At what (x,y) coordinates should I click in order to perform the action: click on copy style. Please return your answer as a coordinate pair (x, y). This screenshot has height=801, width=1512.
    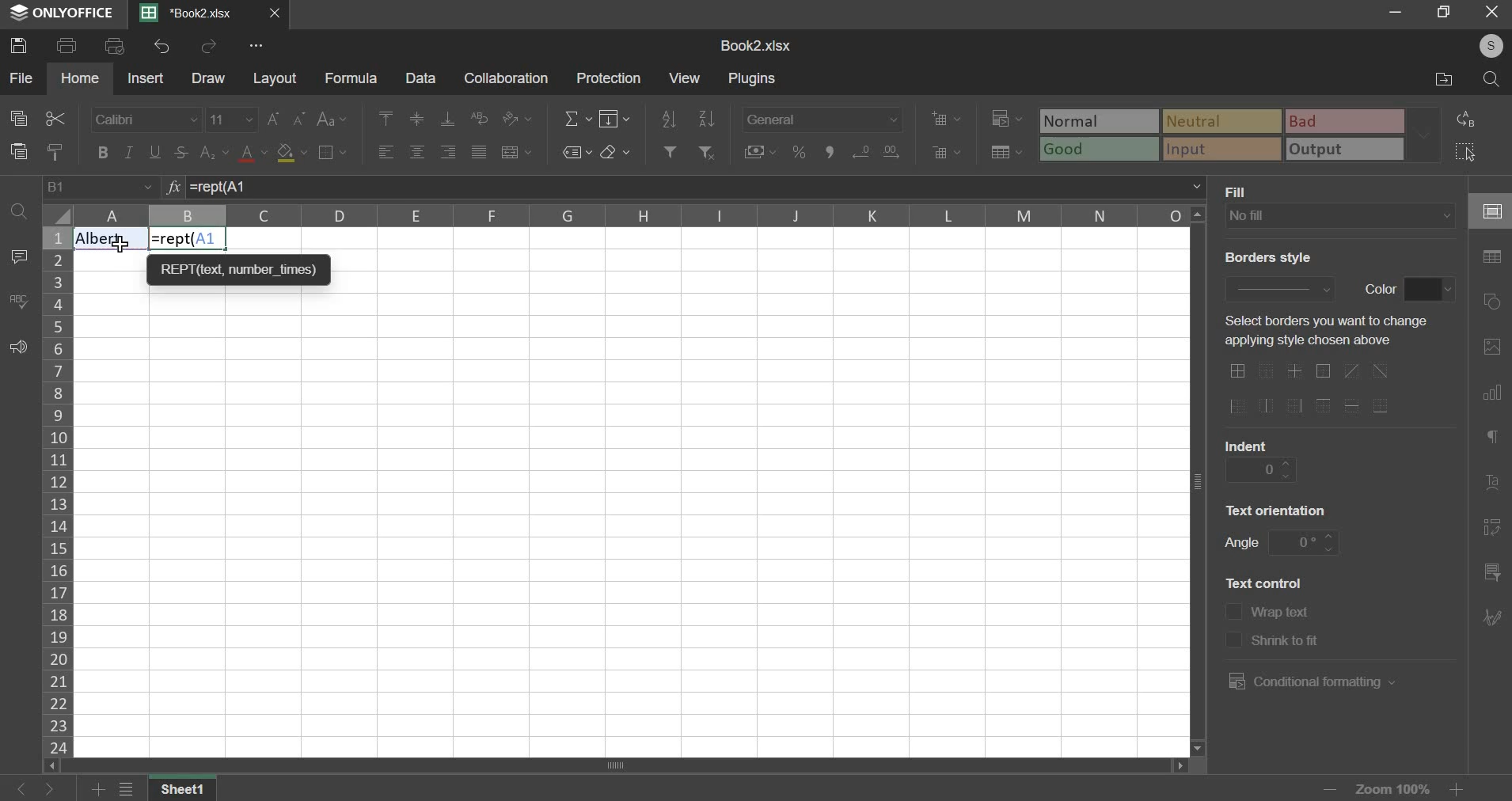
    Looking at the image, I should click on (54, 151).